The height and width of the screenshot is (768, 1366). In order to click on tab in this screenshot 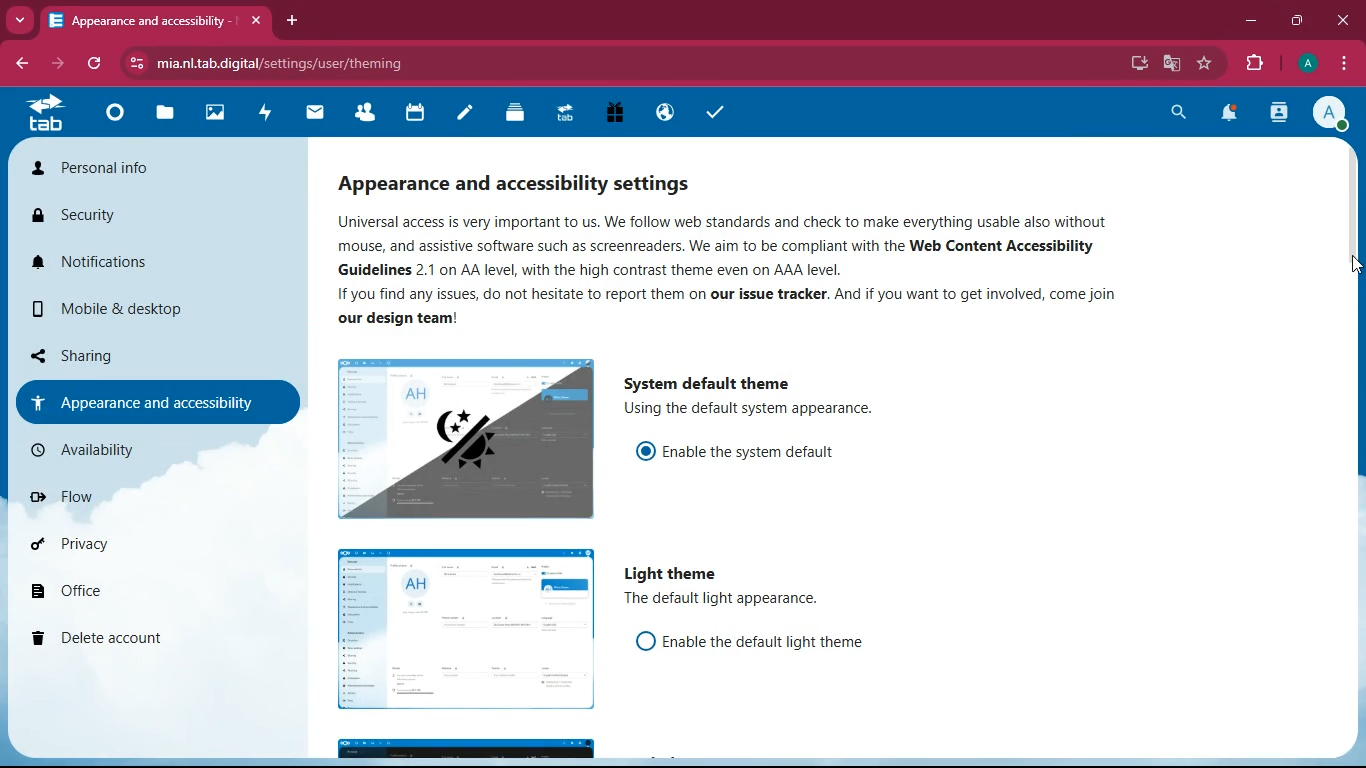, I will do `click(561, 112)`.